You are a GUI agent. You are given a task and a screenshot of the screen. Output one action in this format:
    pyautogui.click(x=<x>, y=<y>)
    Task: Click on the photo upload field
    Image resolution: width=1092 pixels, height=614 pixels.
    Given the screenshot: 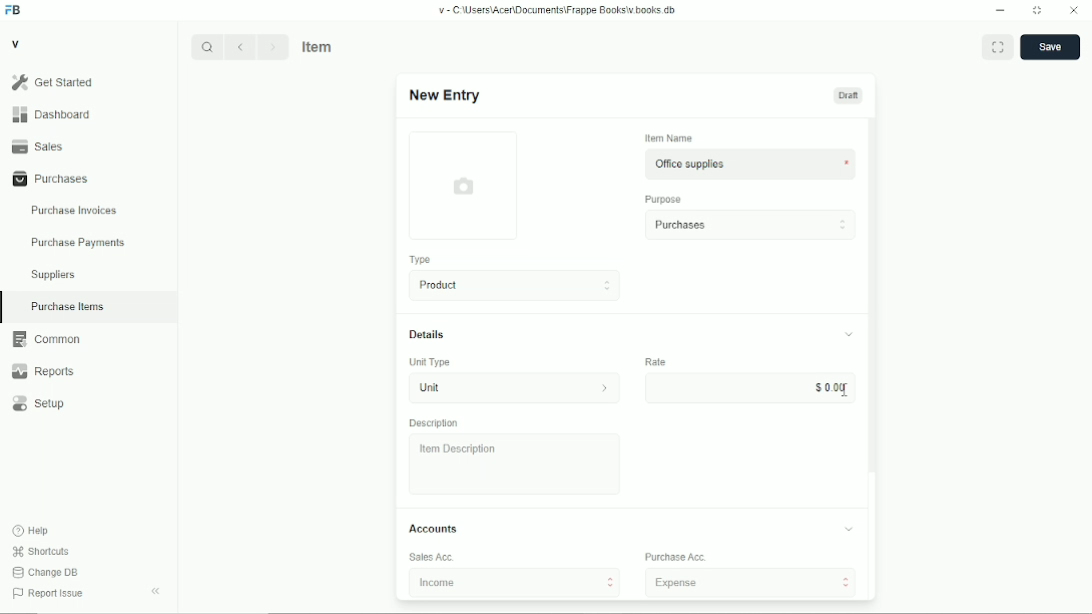 What is the action you would take?
    pyautogui.click(x=465, y=185)
    